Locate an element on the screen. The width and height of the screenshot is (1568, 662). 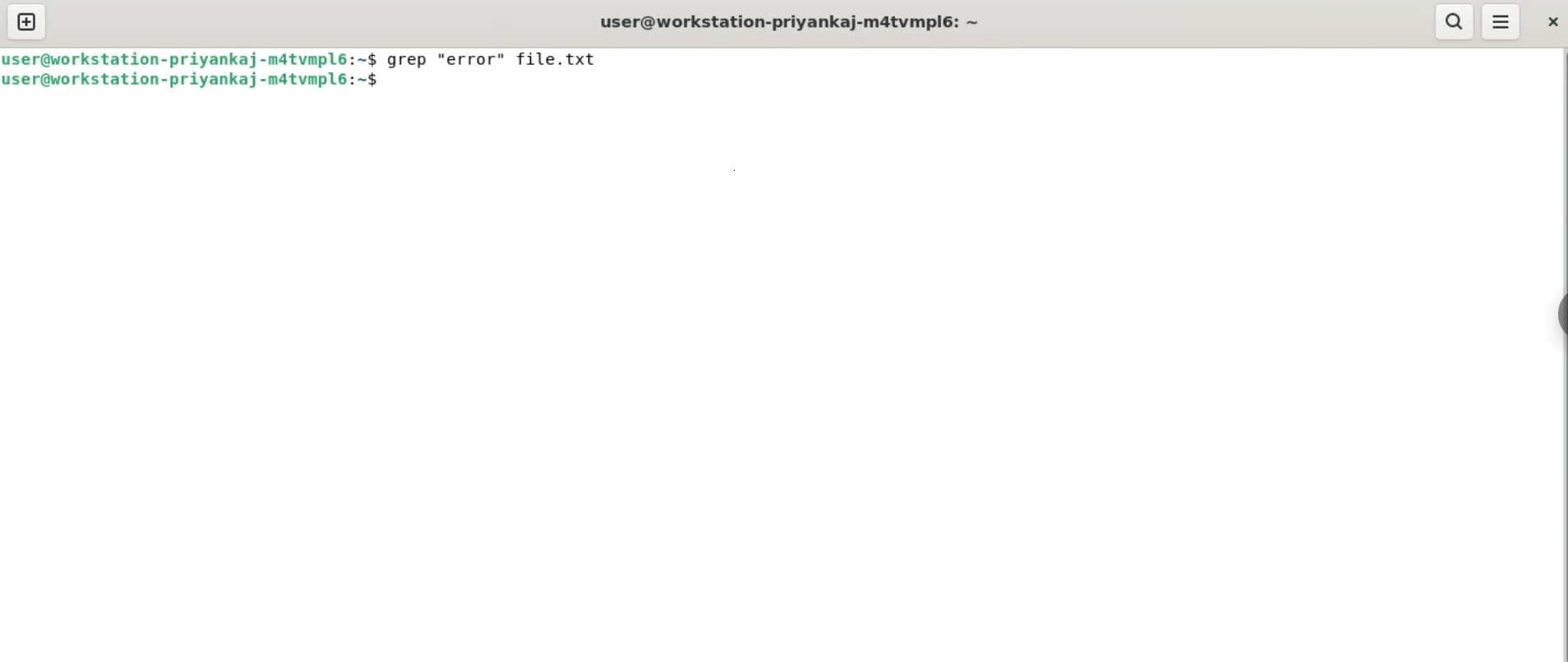
sidebar is located at coordinates (1558, 315).